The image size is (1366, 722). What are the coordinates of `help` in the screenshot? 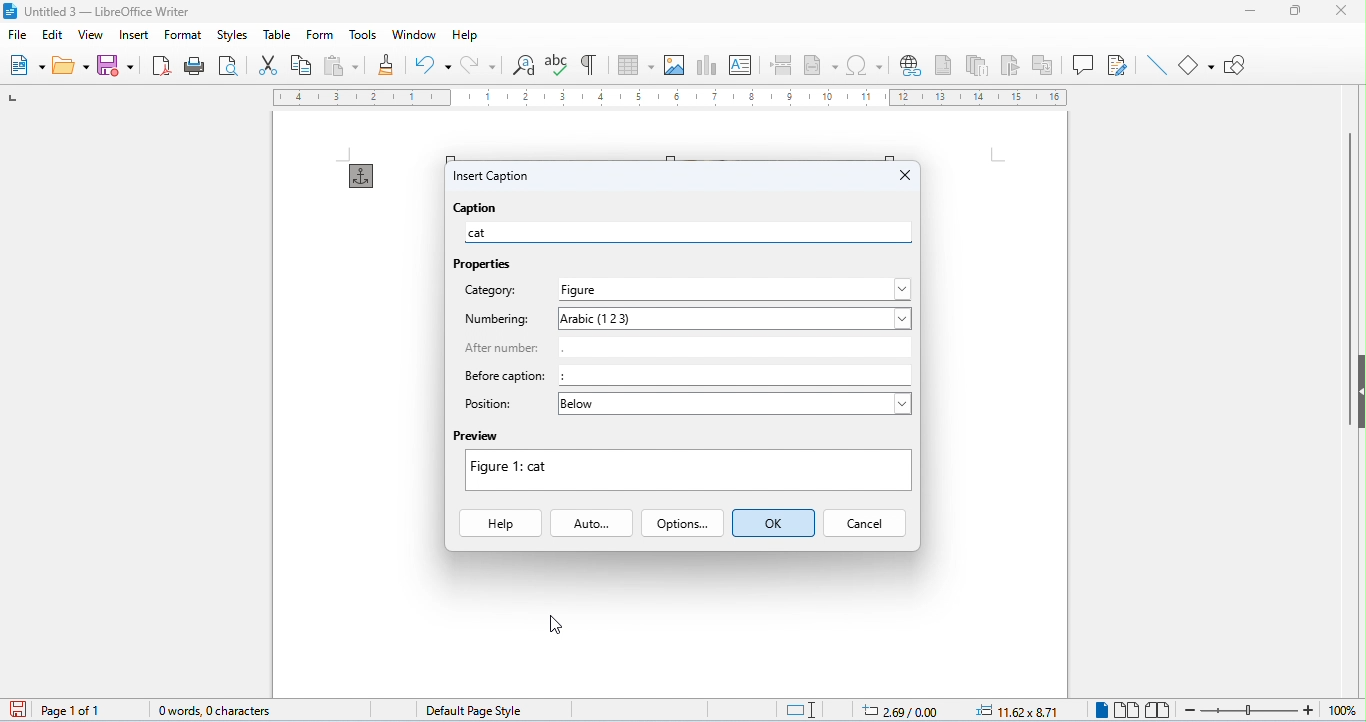 It's located at (500, 522).